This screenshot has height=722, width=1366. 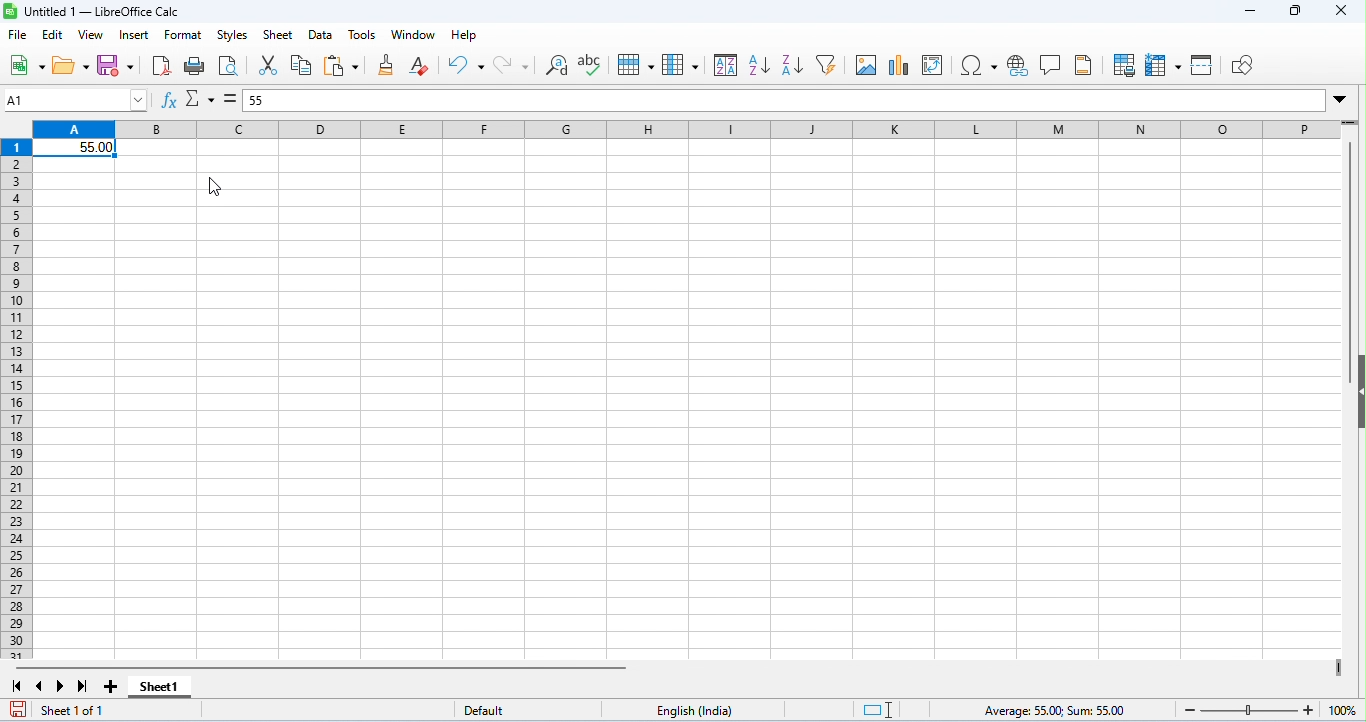 I want to click on copy, so click(x=303, y=65).